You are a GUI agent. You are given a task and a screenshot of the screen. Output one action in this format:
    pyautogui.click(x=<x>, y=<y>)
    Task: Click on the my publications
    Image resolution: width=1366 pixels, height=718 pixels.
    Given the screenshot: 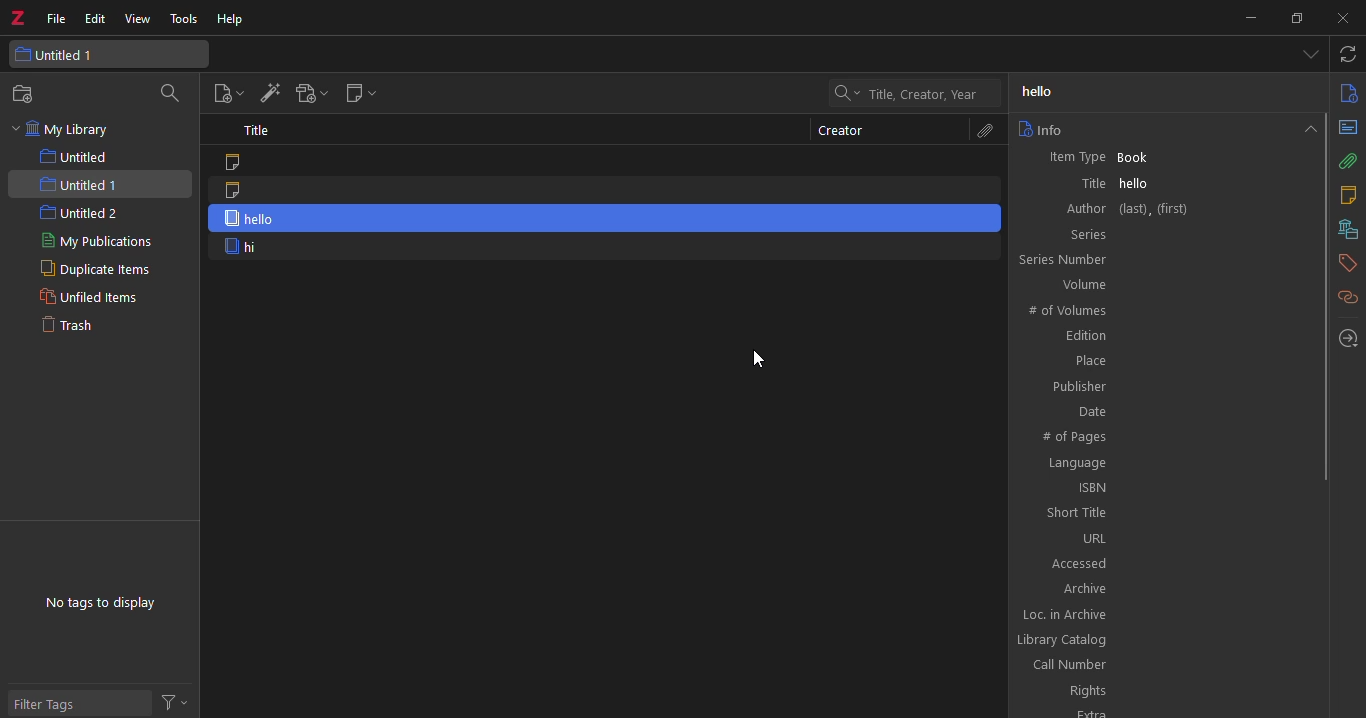 What is the action you would take?
    pyautogui.click(x=104, y=243)
    